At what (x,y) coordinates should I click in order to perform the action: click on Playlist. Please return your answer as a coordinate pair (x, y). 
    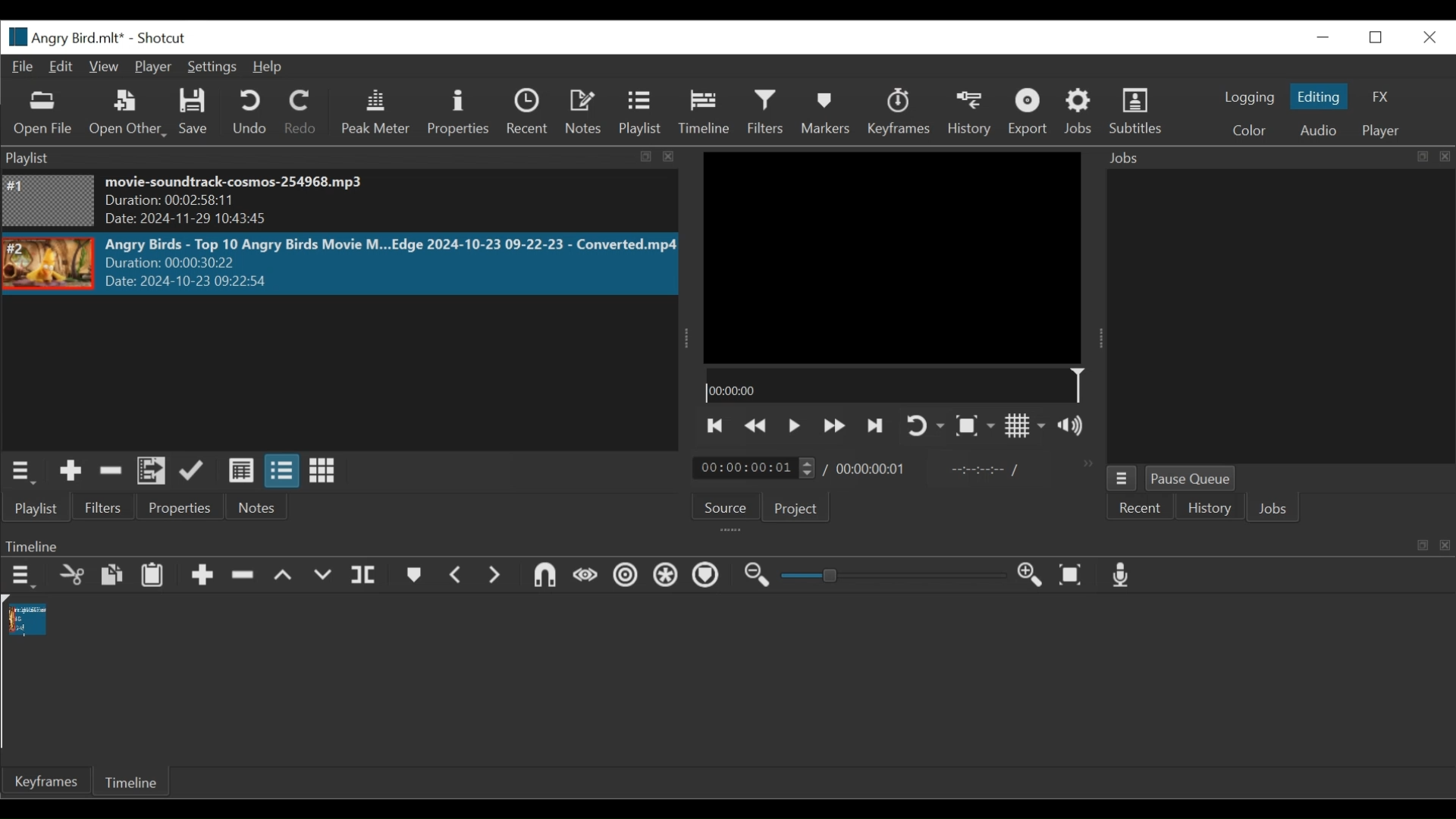
    Looking at the image, I should click on (42, 507).